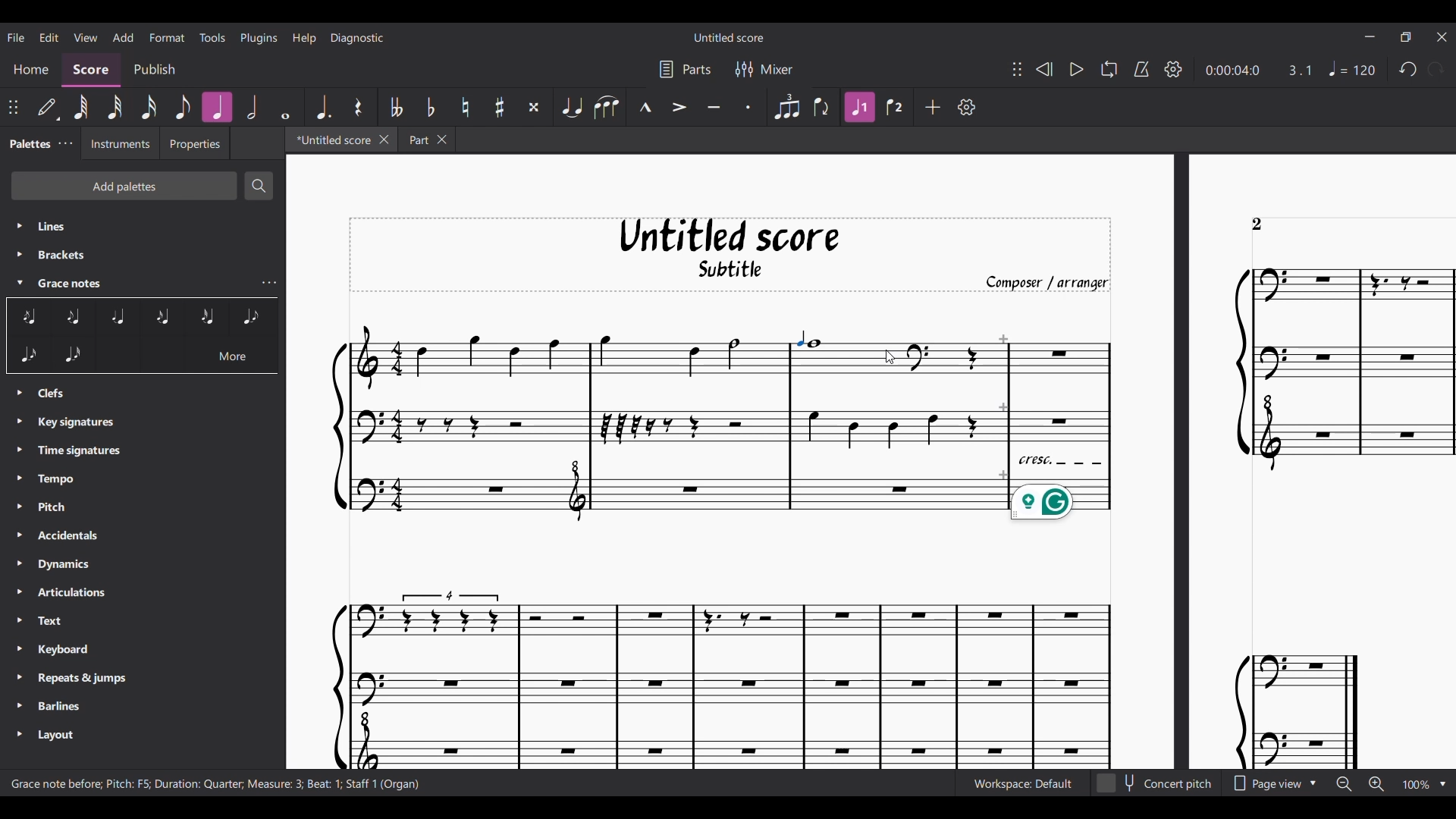 The width and height of the screenshot is (1456, 819). Describe the element at coordinates (90, 71) in the screenshot. I see `Score, current section highlighted` at that location.